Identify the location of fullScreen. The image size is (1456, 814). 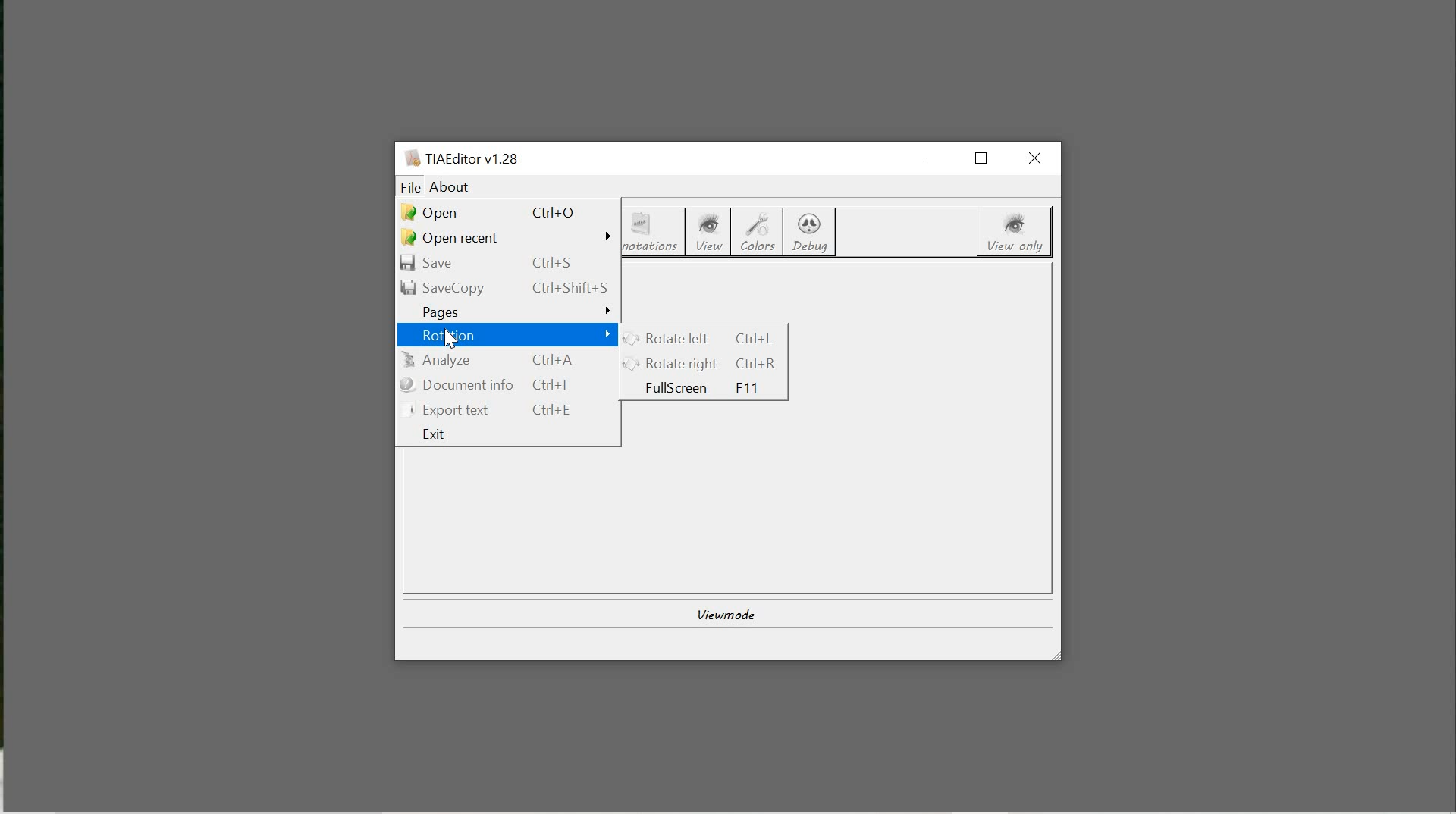
(708, 388).